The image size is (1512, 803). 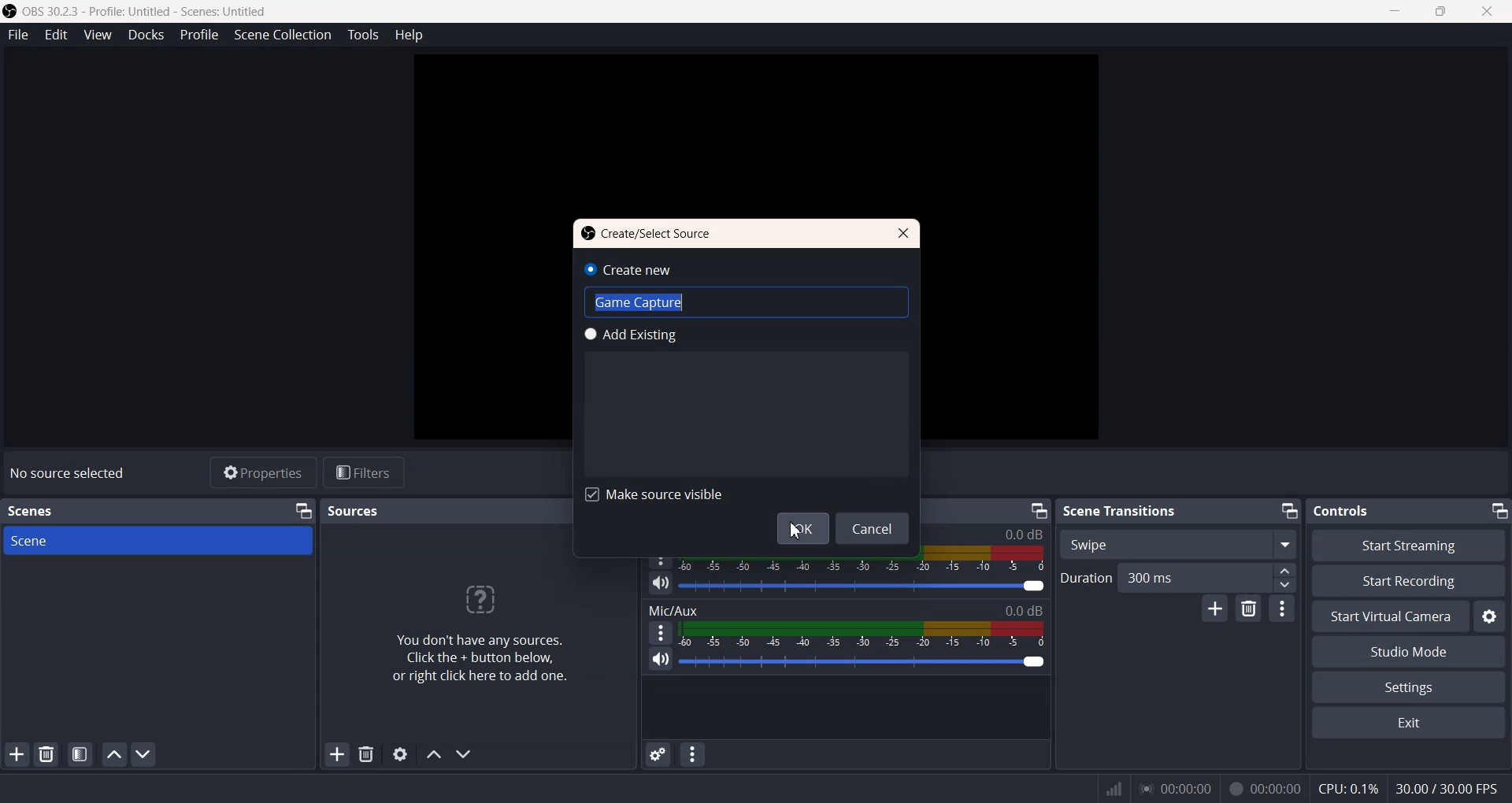 I want to click on Volume Indicator, so click(x=861, y=633).